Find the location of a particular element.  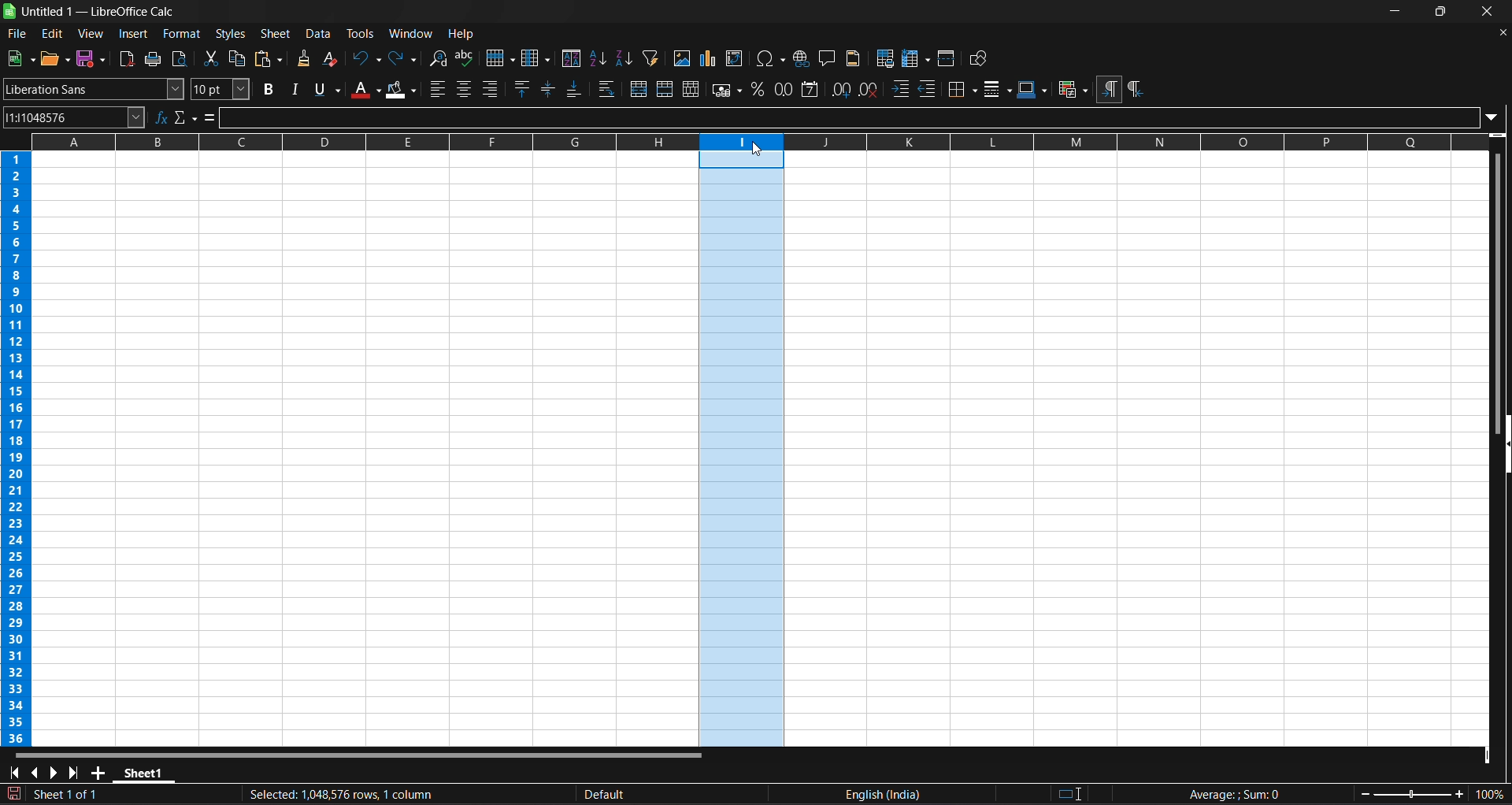

scroll to next sheet is located at coordinates (56, 772).